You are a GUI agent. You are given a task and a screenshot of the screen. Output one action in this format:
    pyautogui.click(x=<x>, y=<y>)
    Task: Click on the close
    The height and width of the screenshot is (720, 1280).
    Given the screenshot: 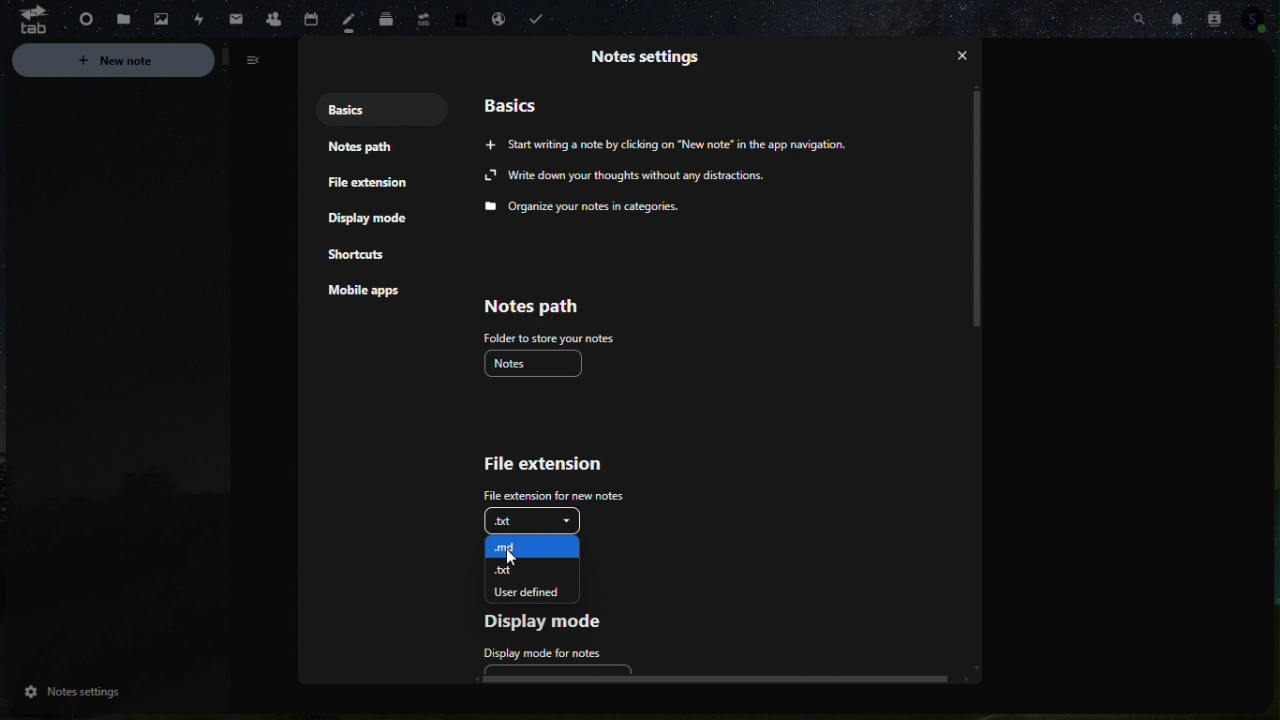 What is the action you would take?
    pyautogui.click(x=964, y=59)
    